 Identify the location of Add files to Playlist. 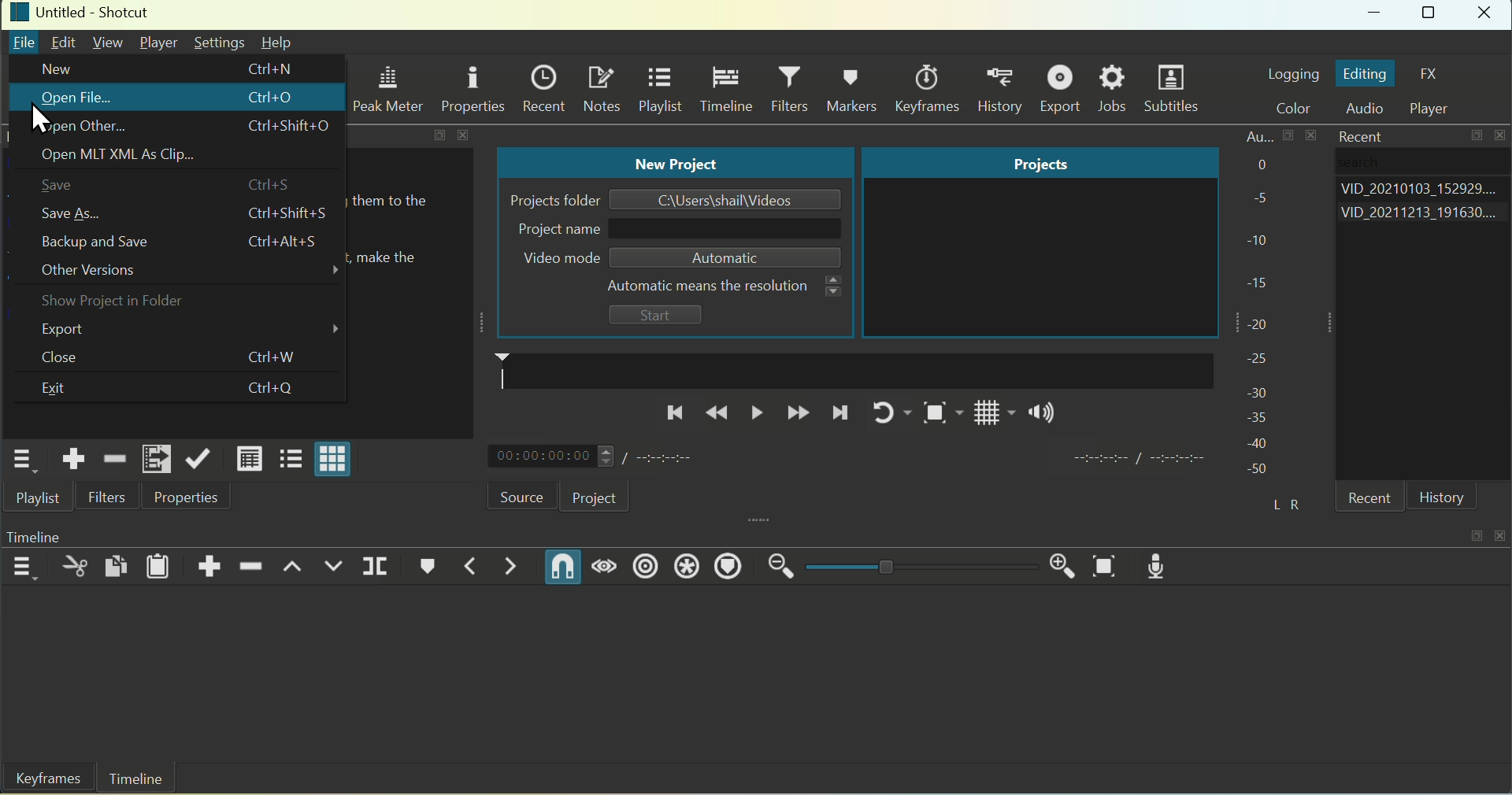
(155, 458).